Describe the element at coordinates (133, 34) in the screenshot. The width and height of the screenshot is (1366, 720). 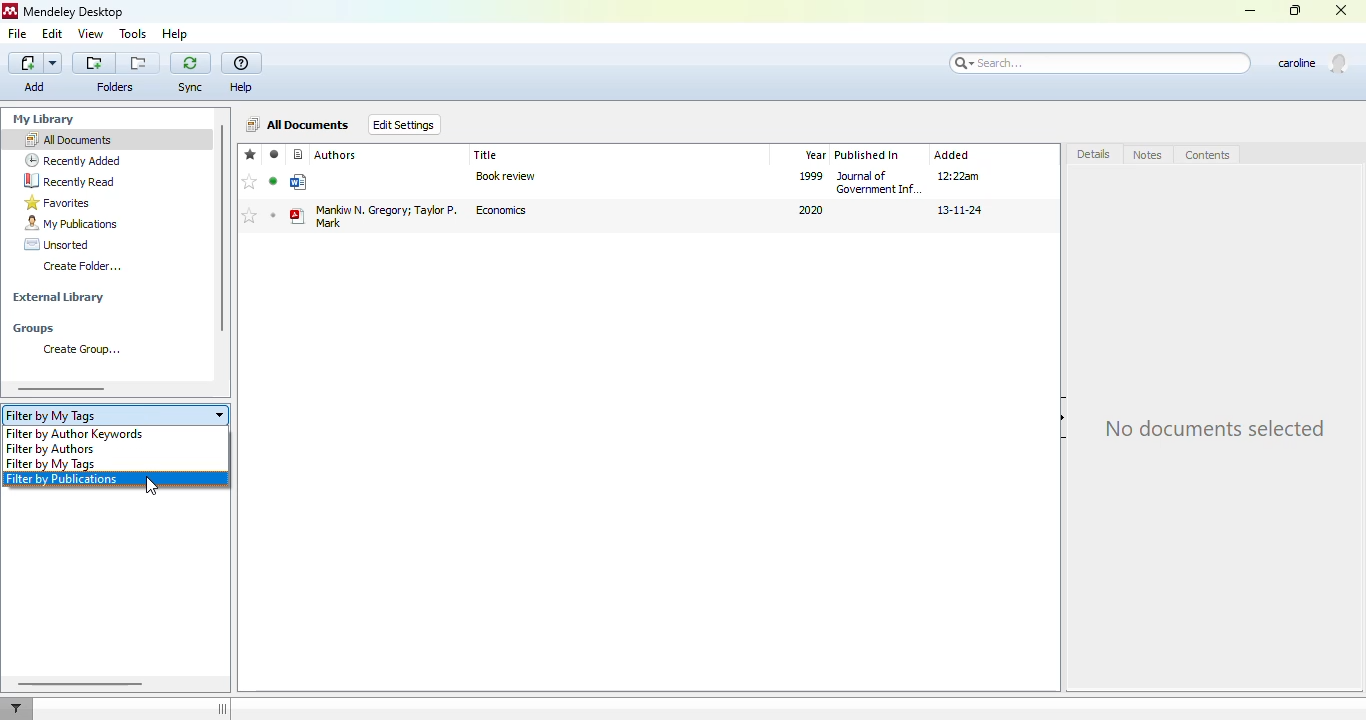
I see `tools` at that location.